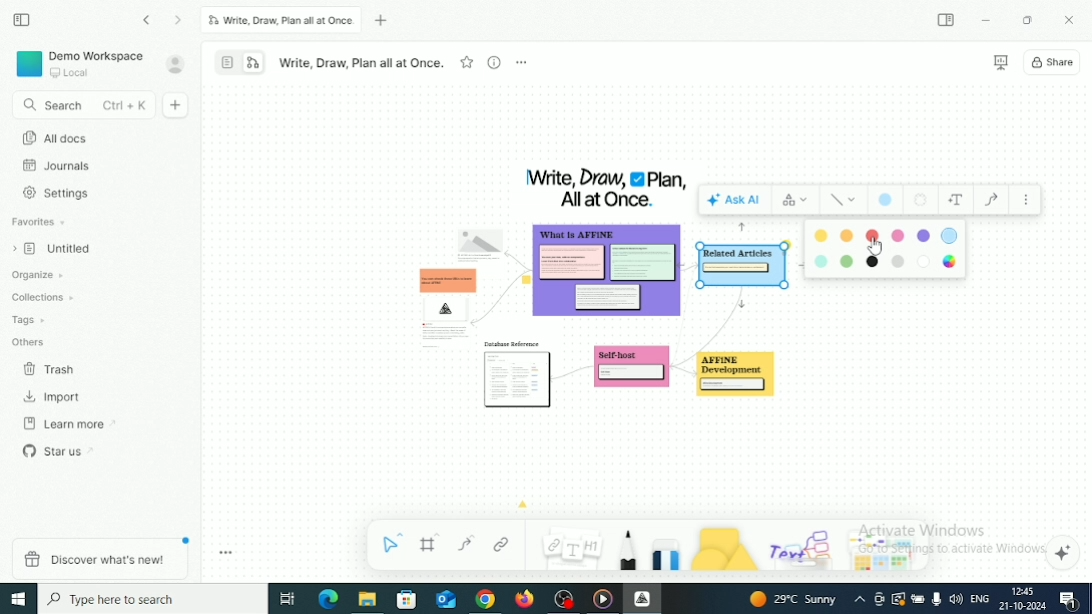 This screenshot has width=1092, height=614. Describe the element at coordinates (493, 62) in the screenshot. I see `View Info` at that location.